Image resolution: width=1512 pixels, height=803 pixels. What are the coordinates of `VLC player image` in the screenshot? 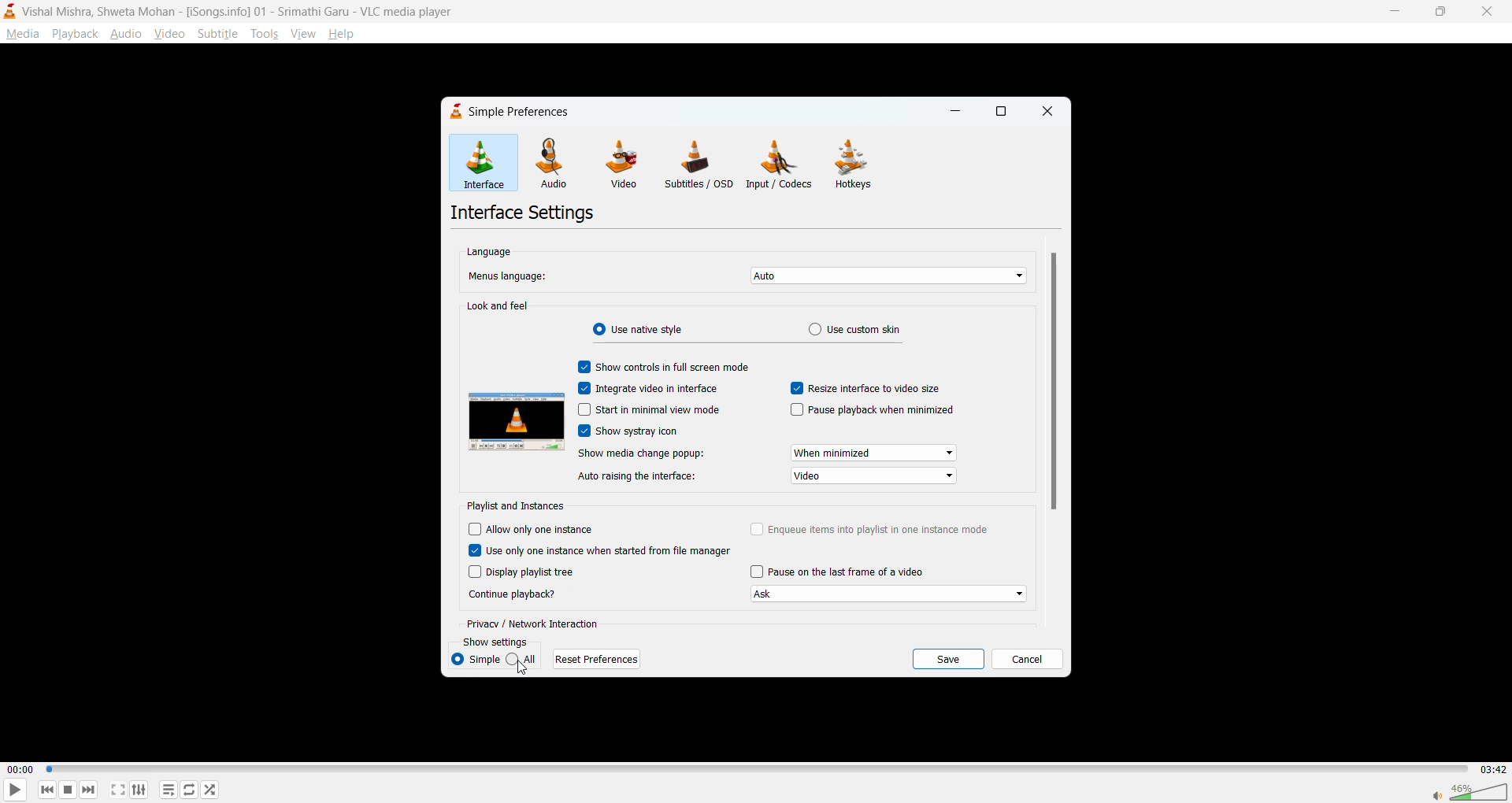 It's located at (515, 424).